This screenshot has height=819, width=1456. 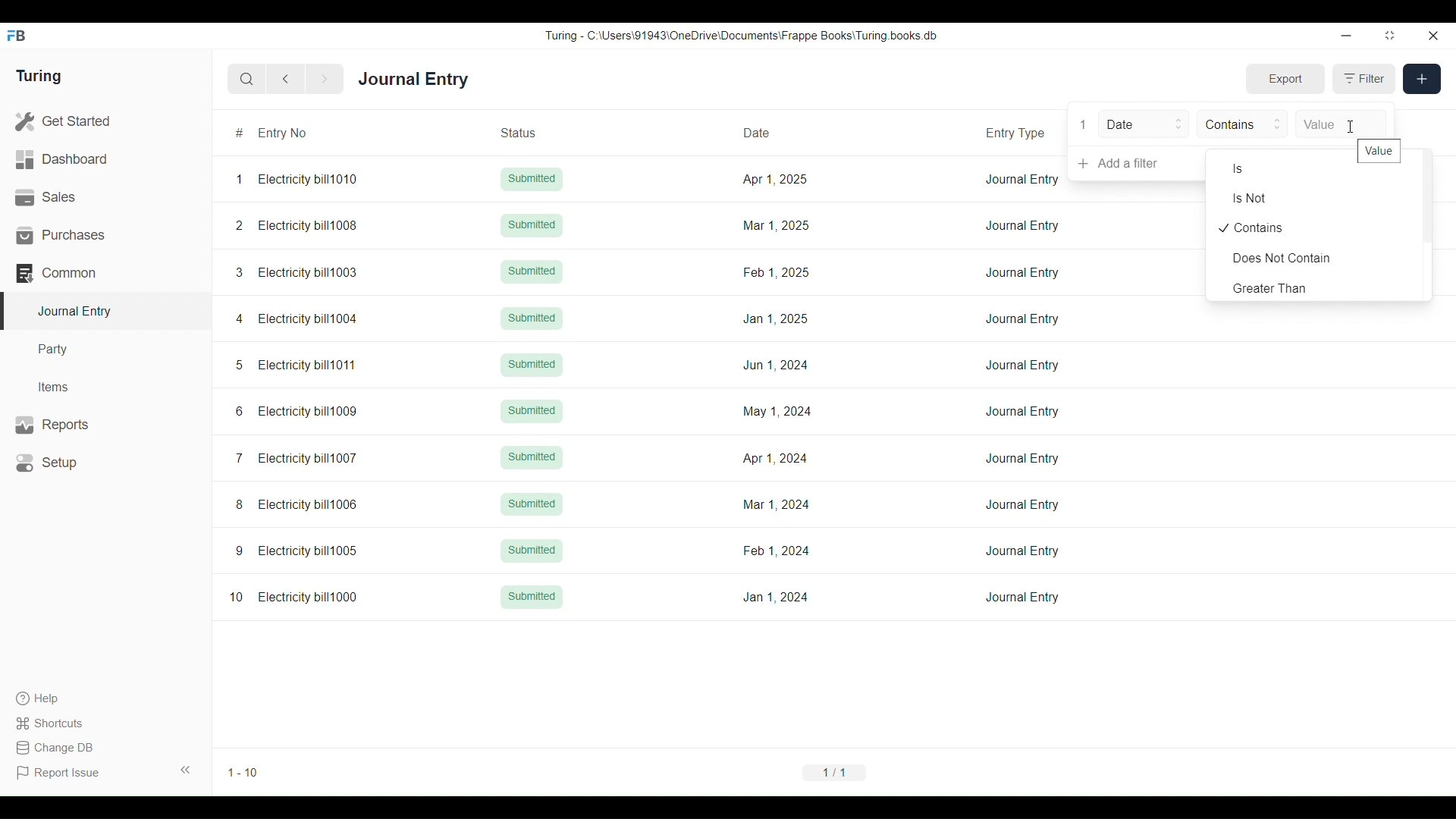 What do you see at coordinates (774, 458) in the screenshot?
I see `Apr 1, 2024` at bounding box center [774, 458].